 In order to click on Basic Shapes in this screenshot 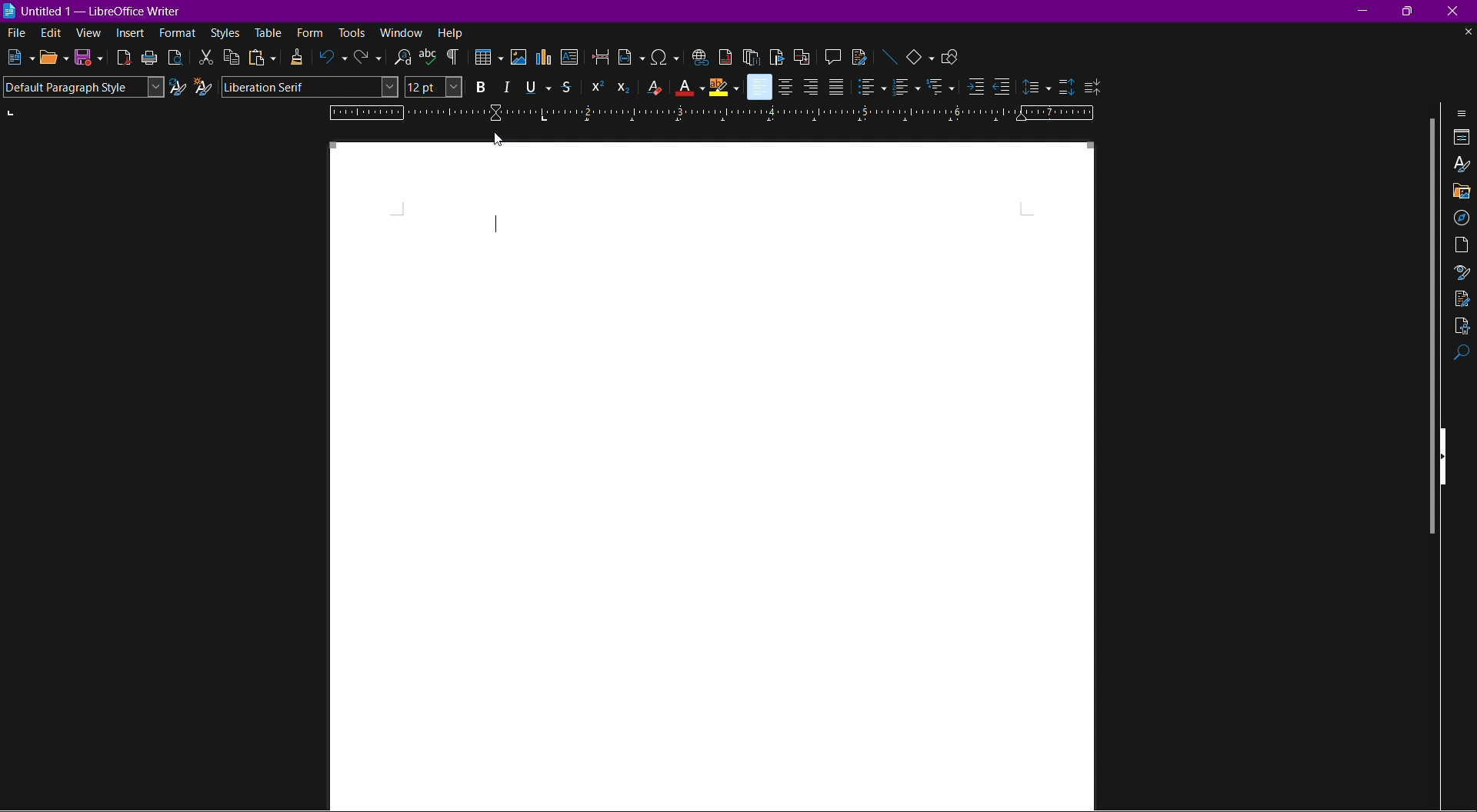, I will do `click(922, 55)`.